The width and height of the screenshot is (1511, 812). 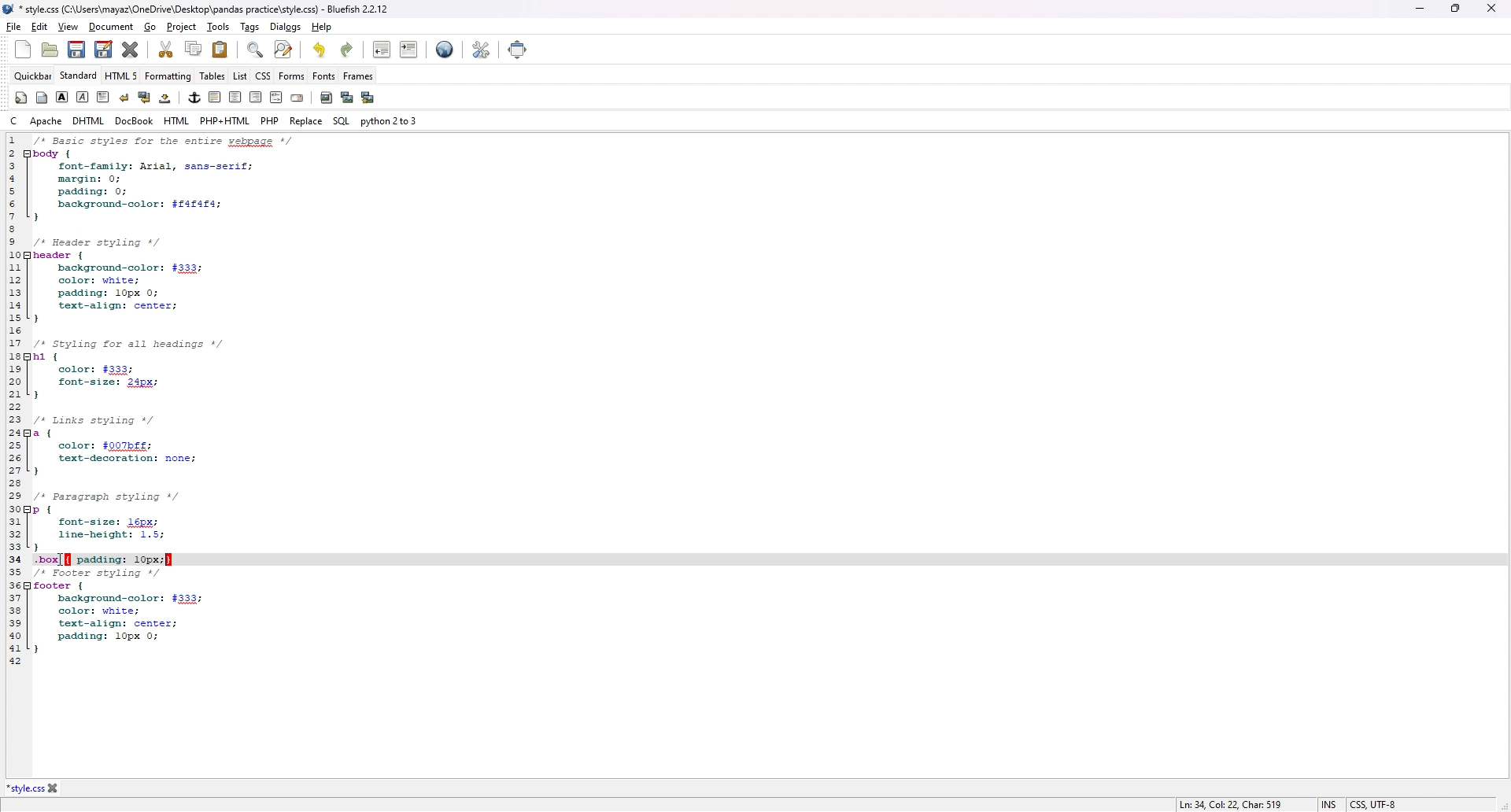 I want to click on break and clear, so click(x=144, y=98).